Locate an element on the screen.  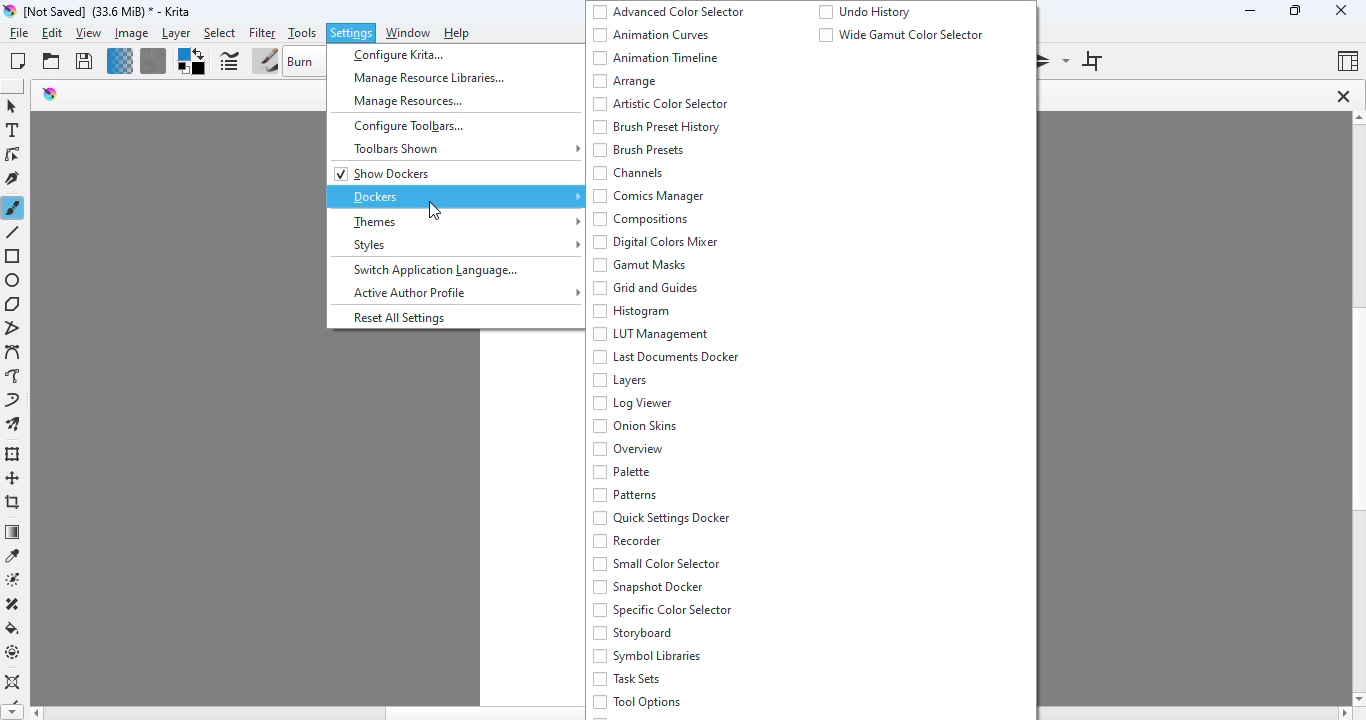
tools is located at coordinates (301, 33).